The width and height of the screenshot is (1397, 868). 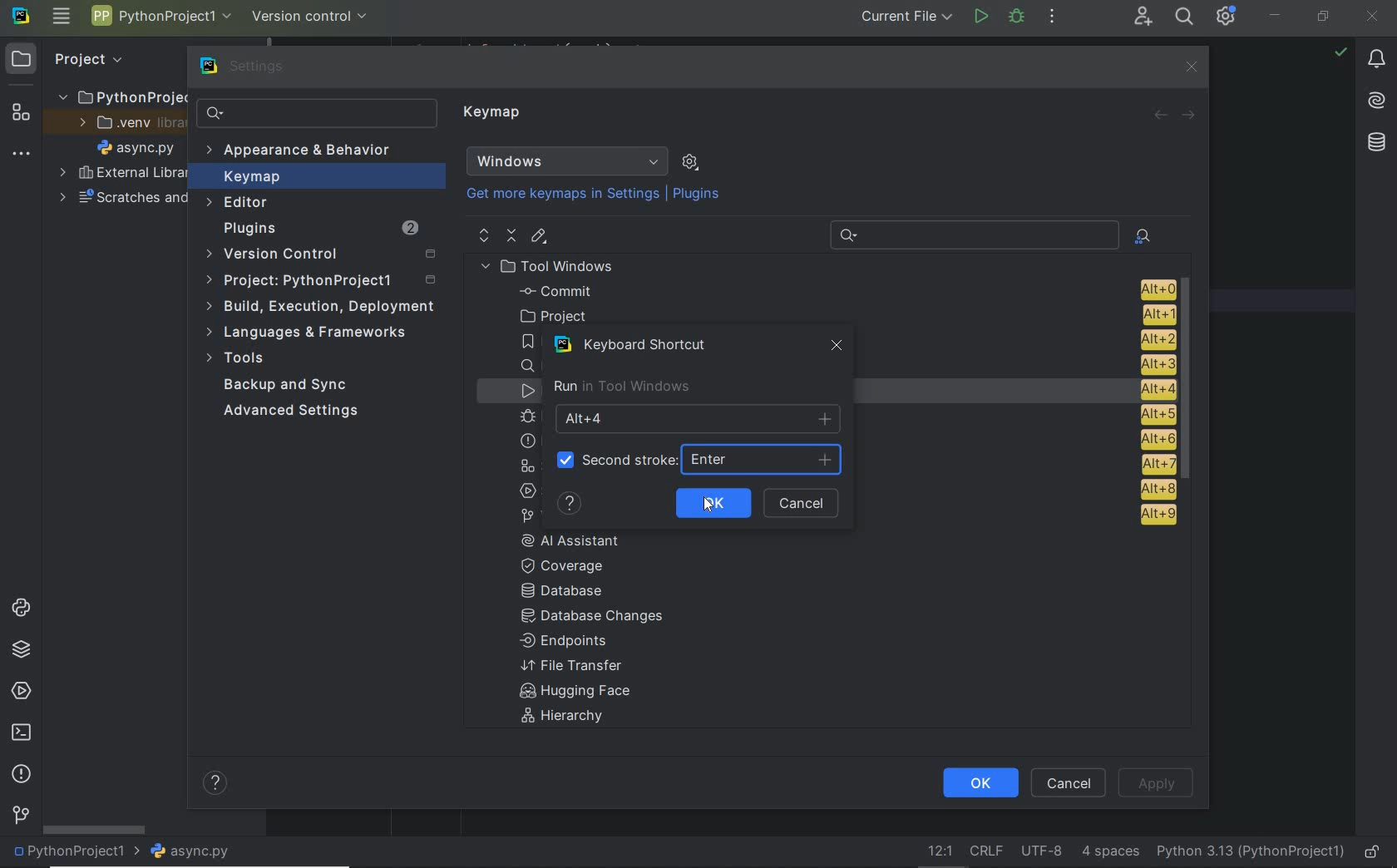 What do you see at coordinates (698, 195) in the screenshot?
I see `Plugins` at bounding box center [698, 195].